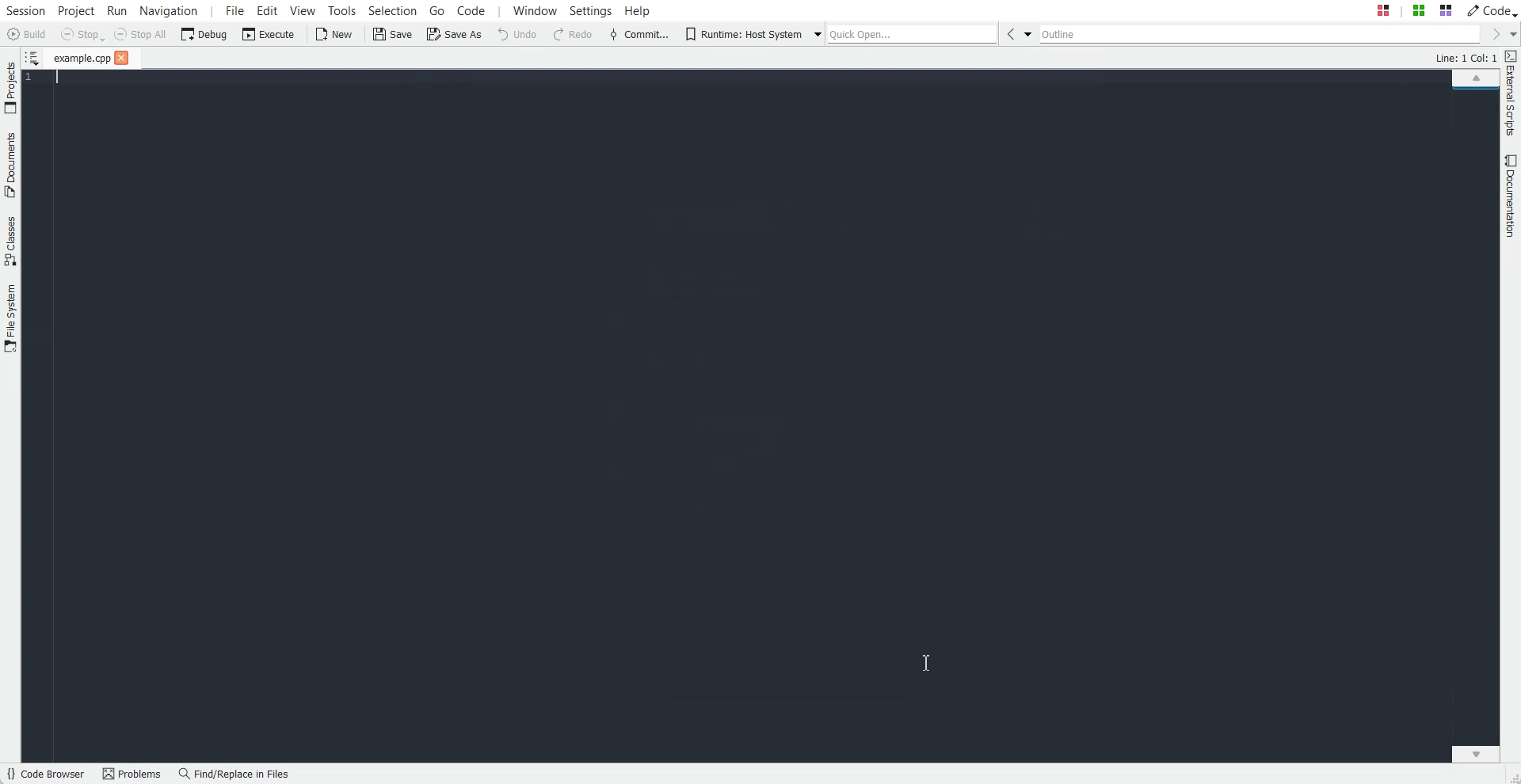 Image resolution: width=1521 pixels, height=784 pixels. I want to click on Tools, so click(341, 10).